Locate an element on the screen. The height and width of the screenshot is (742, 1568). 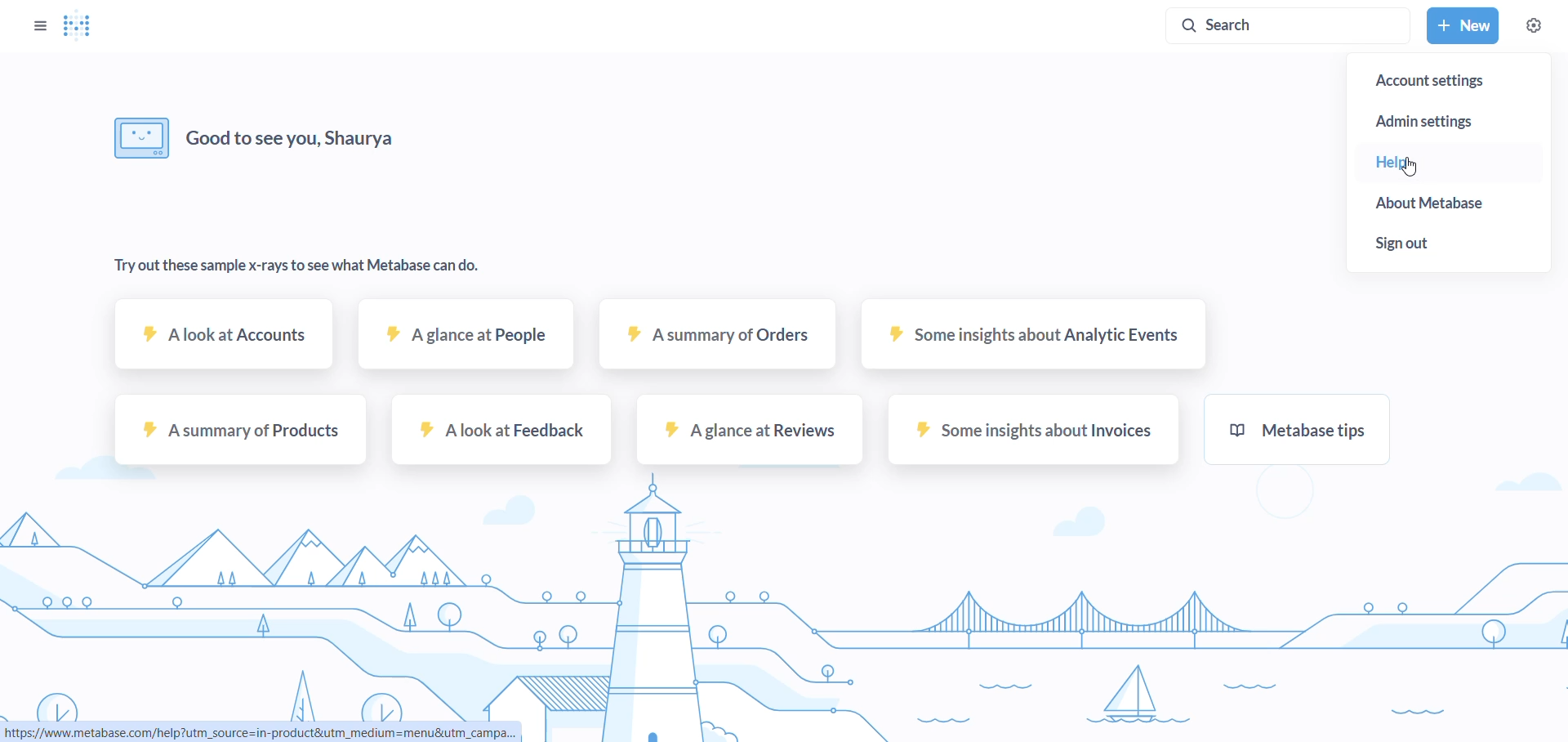
A summary of Orders sample is located at coordinates (717, 342).